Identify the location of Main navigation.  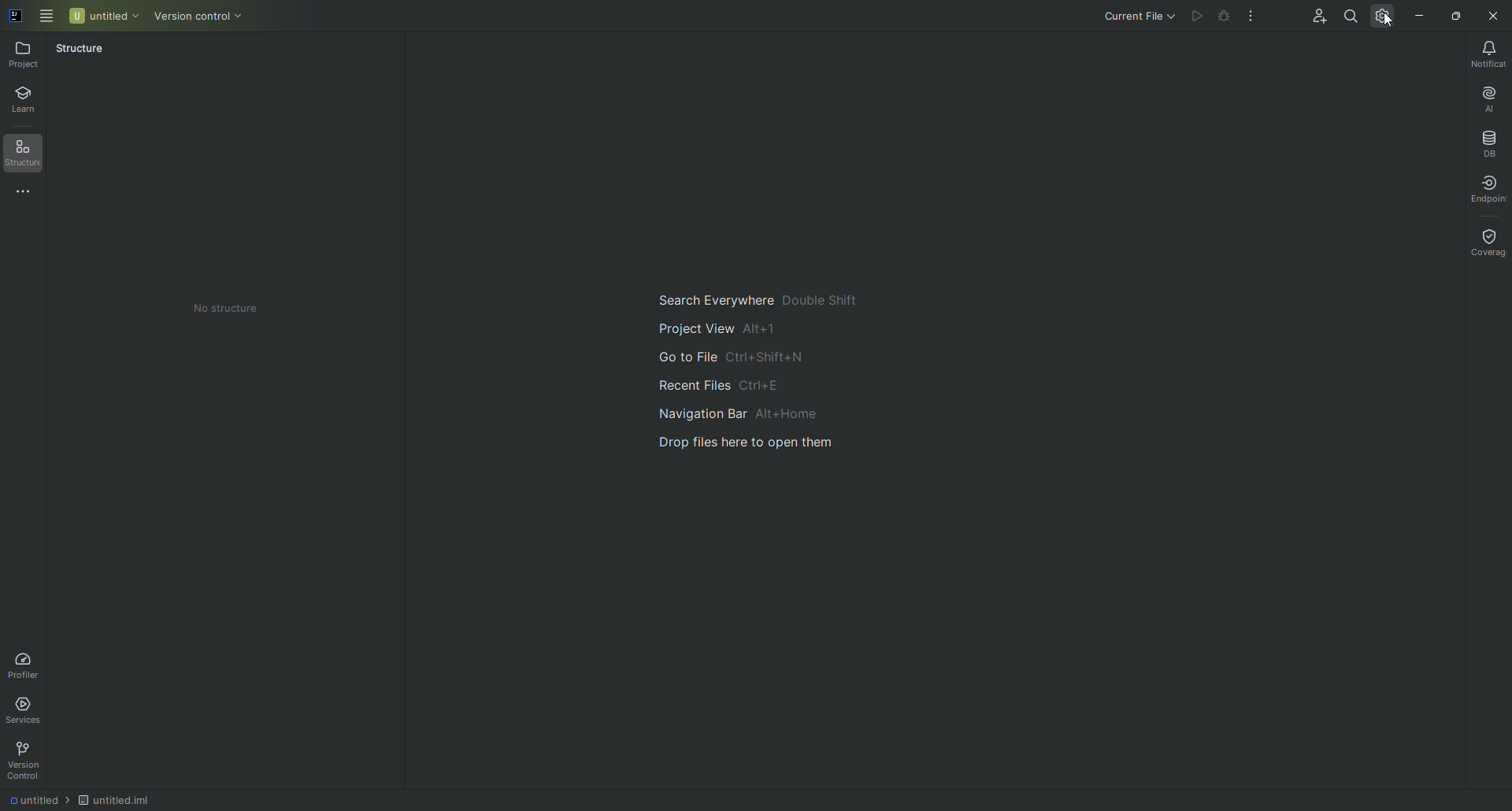
(757, 371).